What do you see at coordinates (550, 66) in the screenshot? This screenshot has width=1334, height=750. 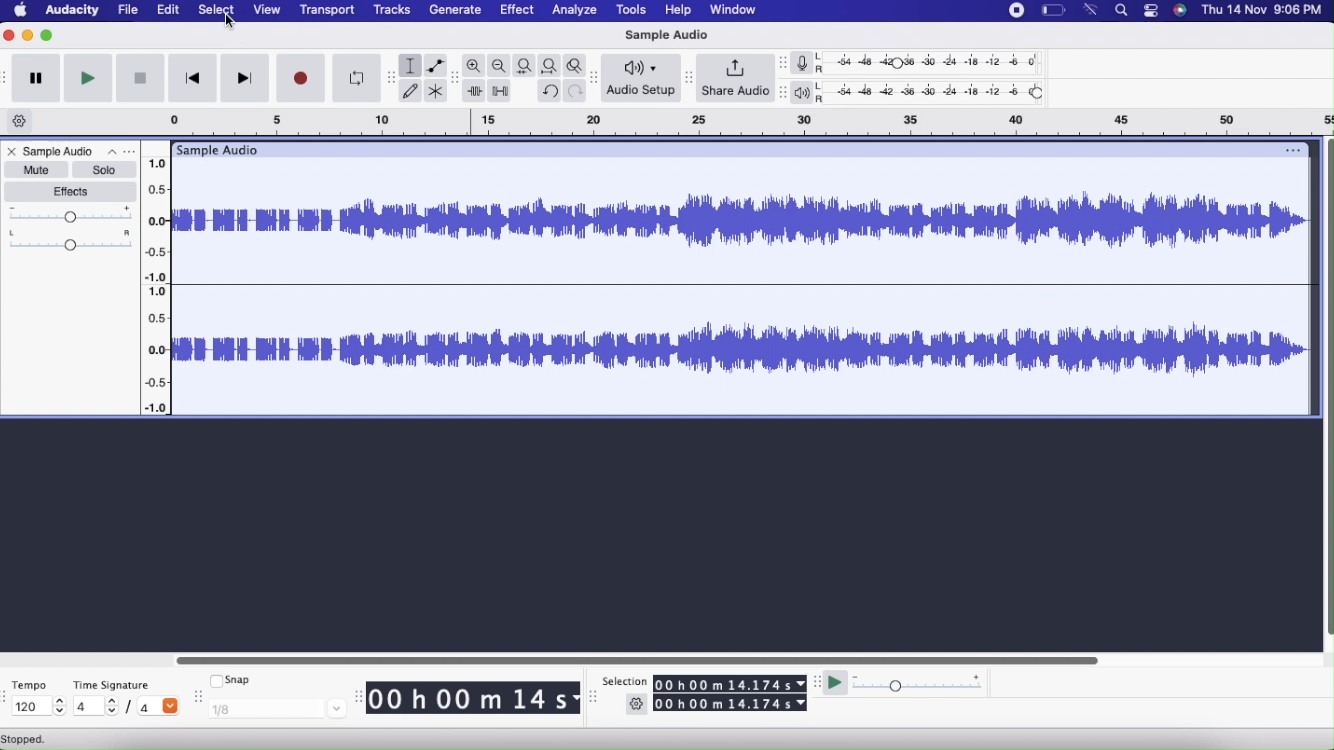 I see `Fit project to width` at bounding box center [550, 66].